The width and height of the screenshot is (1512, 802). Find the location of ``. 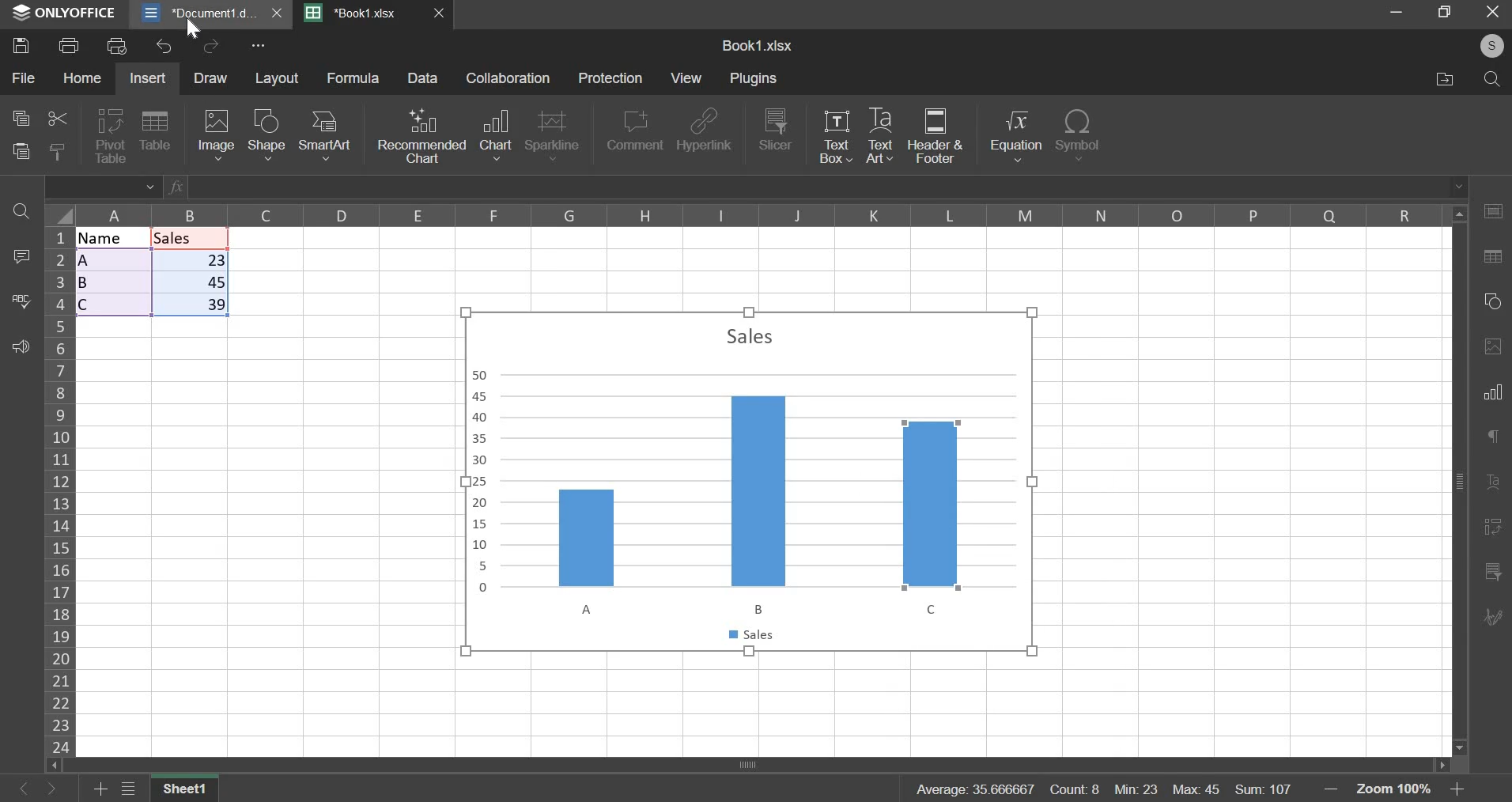

 is located at coordinates (43, 789).